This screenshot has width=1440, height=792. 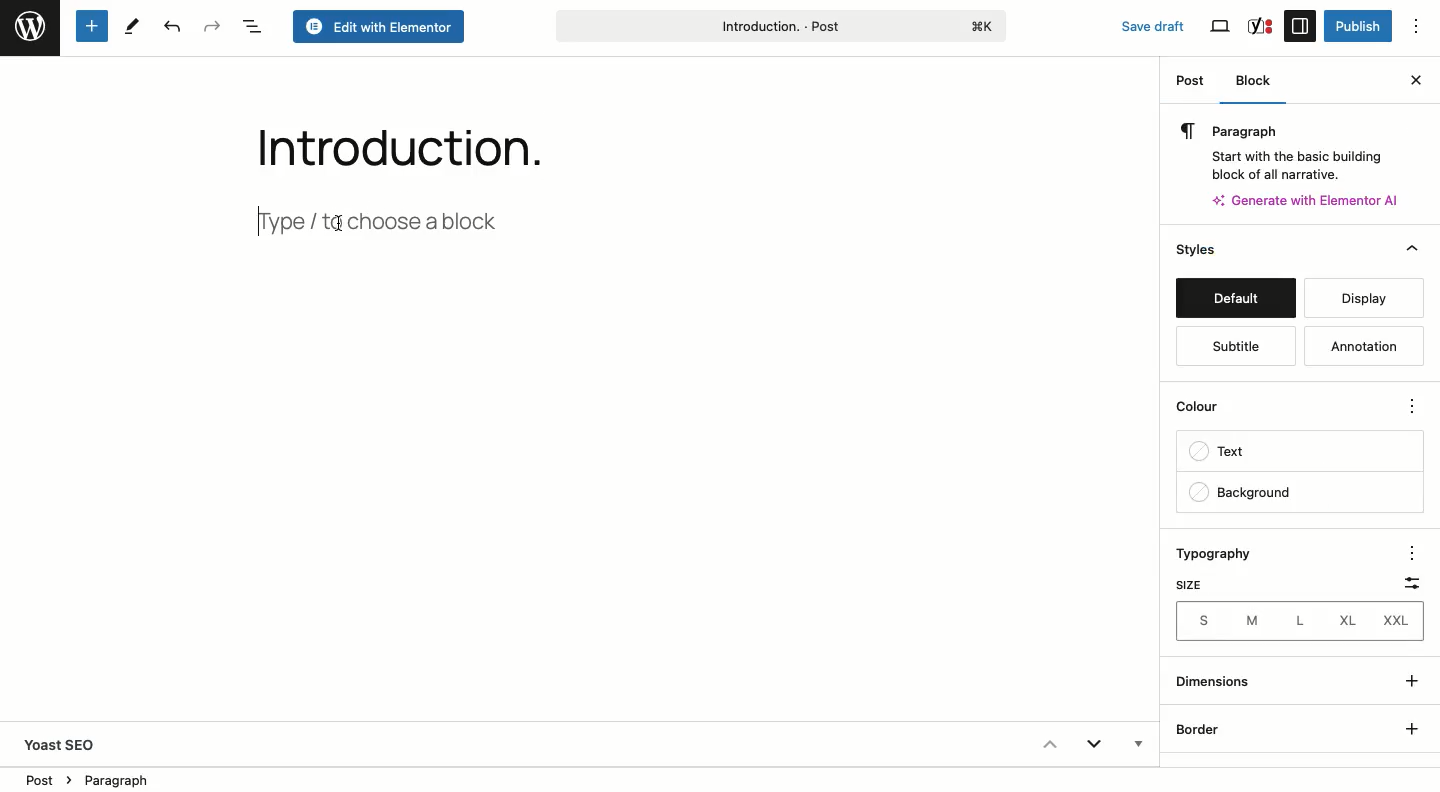 What do you see at coordinates (1259, 25) in the screenshot?
I see `Yoast` at bounding box center [1259, 25].